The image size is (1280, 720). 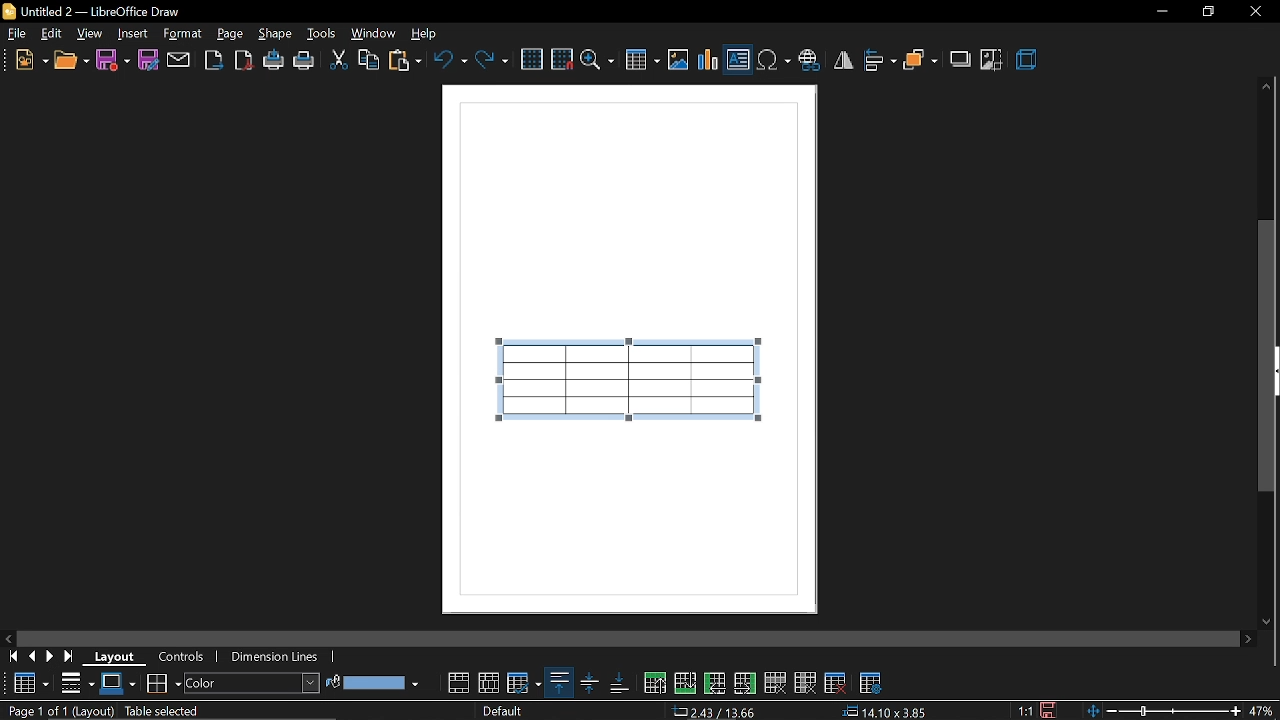 I want to click on insert chart, so click(x=708, y=58).